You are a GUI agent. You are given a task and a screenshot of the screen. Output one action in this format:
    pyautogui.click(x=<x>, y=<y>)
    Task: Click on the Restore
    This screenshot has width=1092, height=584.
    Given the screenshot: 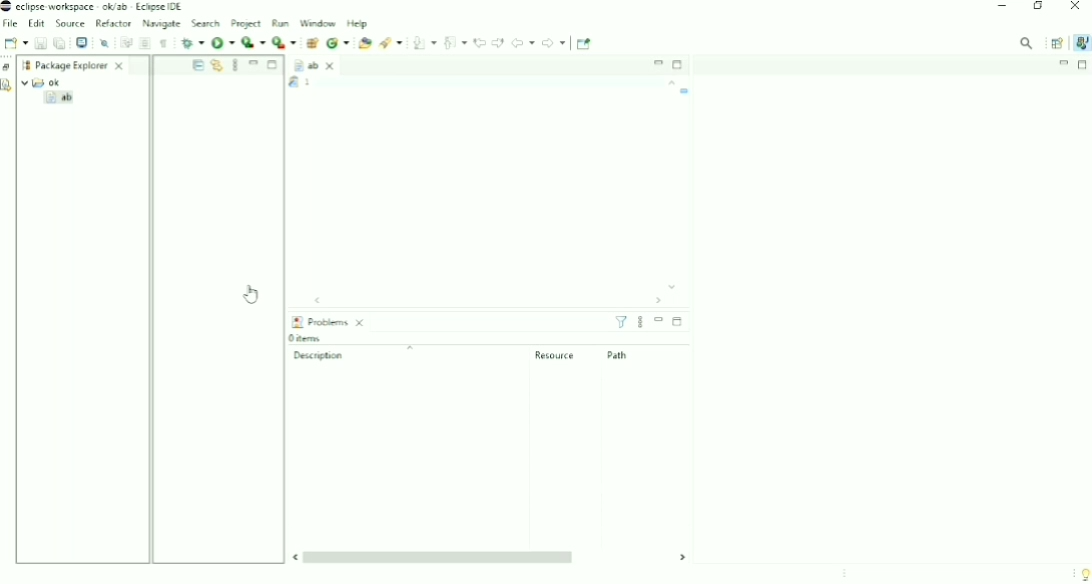 What is the action you would take?
    pyautogui.click(x=8, y=68)
    